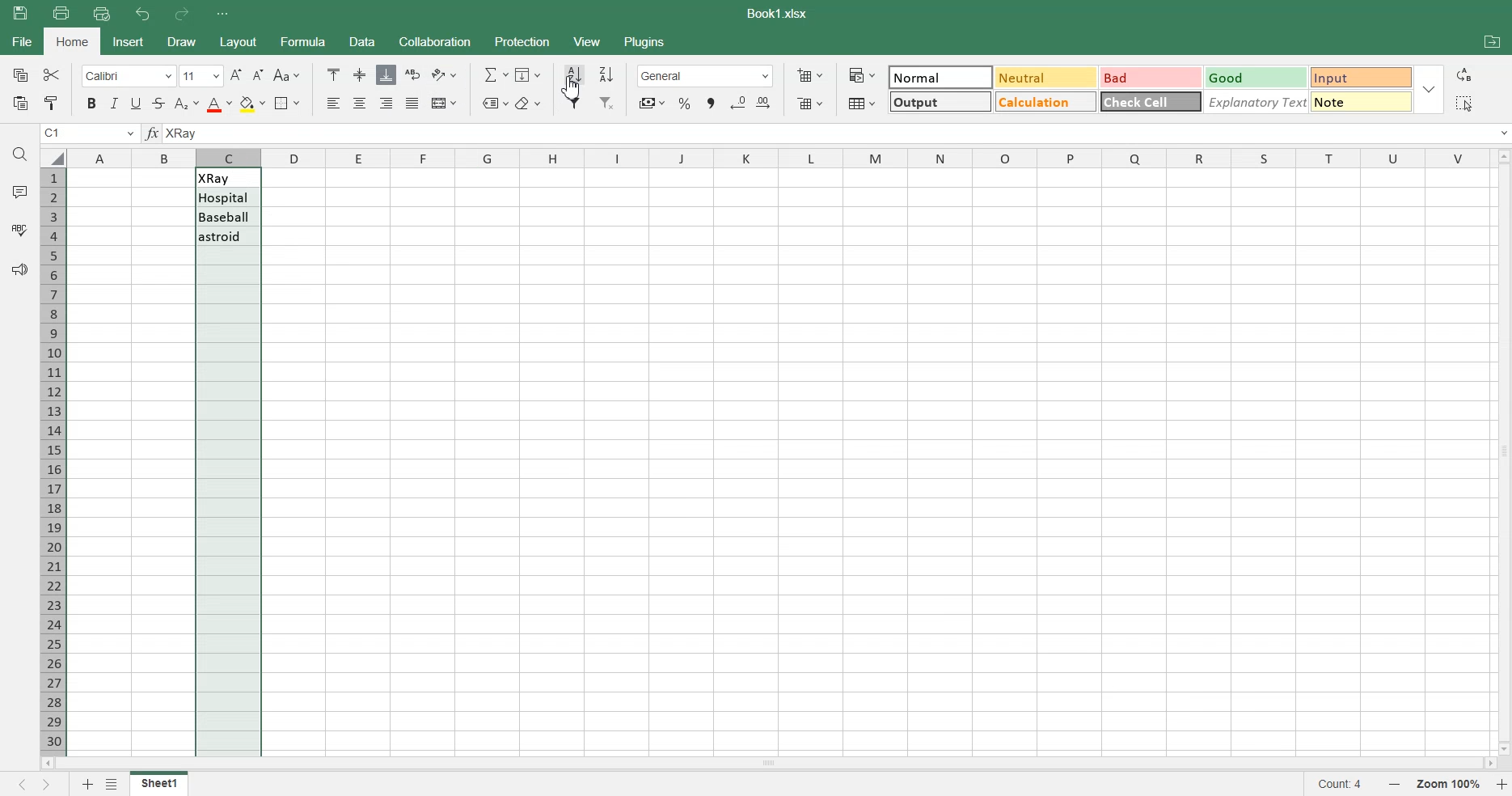 The width and height of the screenshot is (1512, 796). I want to click on General, so click(705, 76).